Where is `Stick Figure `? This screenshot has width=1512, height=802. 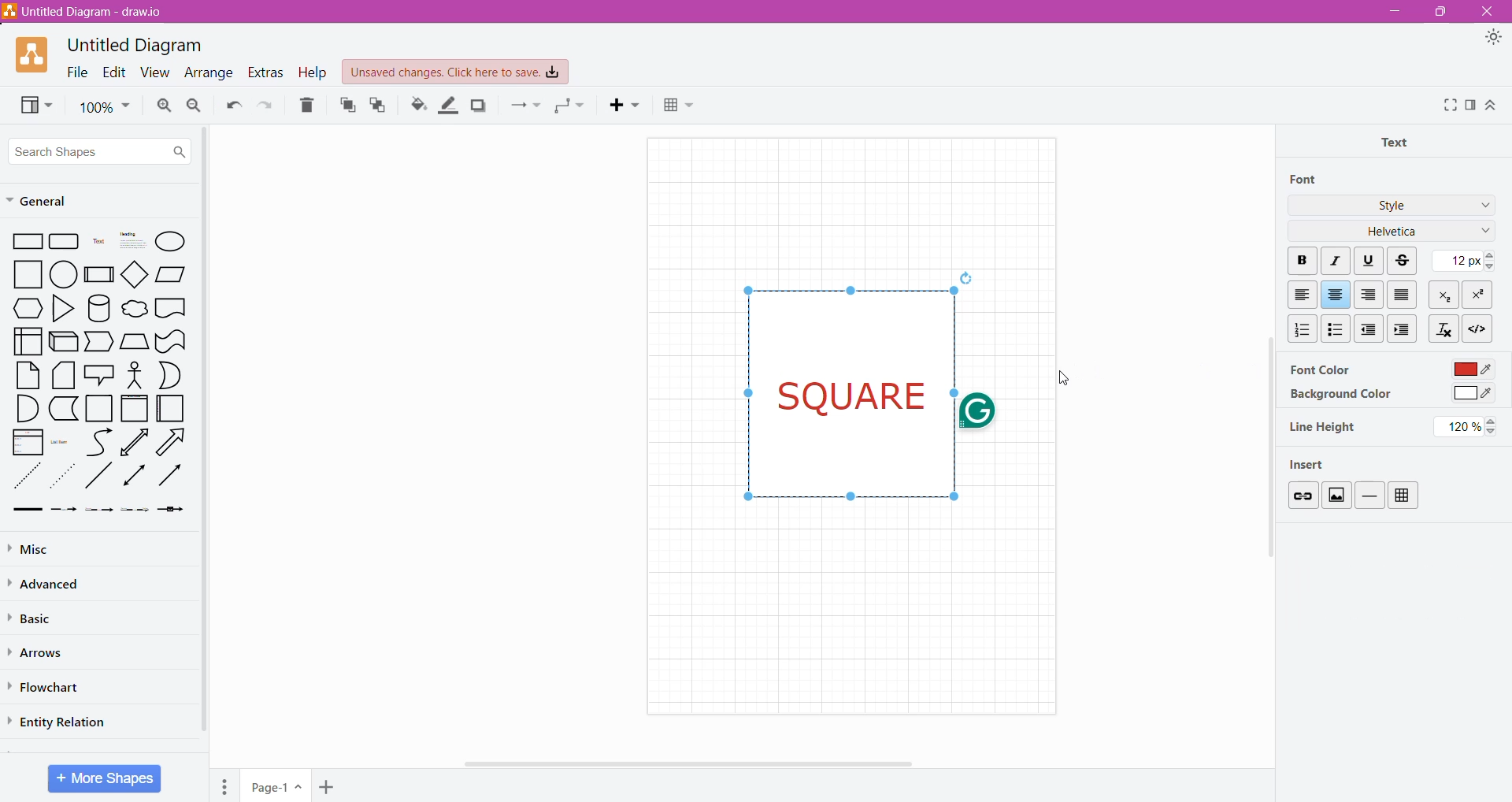 Stick Figure  is located at coordinates (135, 373).